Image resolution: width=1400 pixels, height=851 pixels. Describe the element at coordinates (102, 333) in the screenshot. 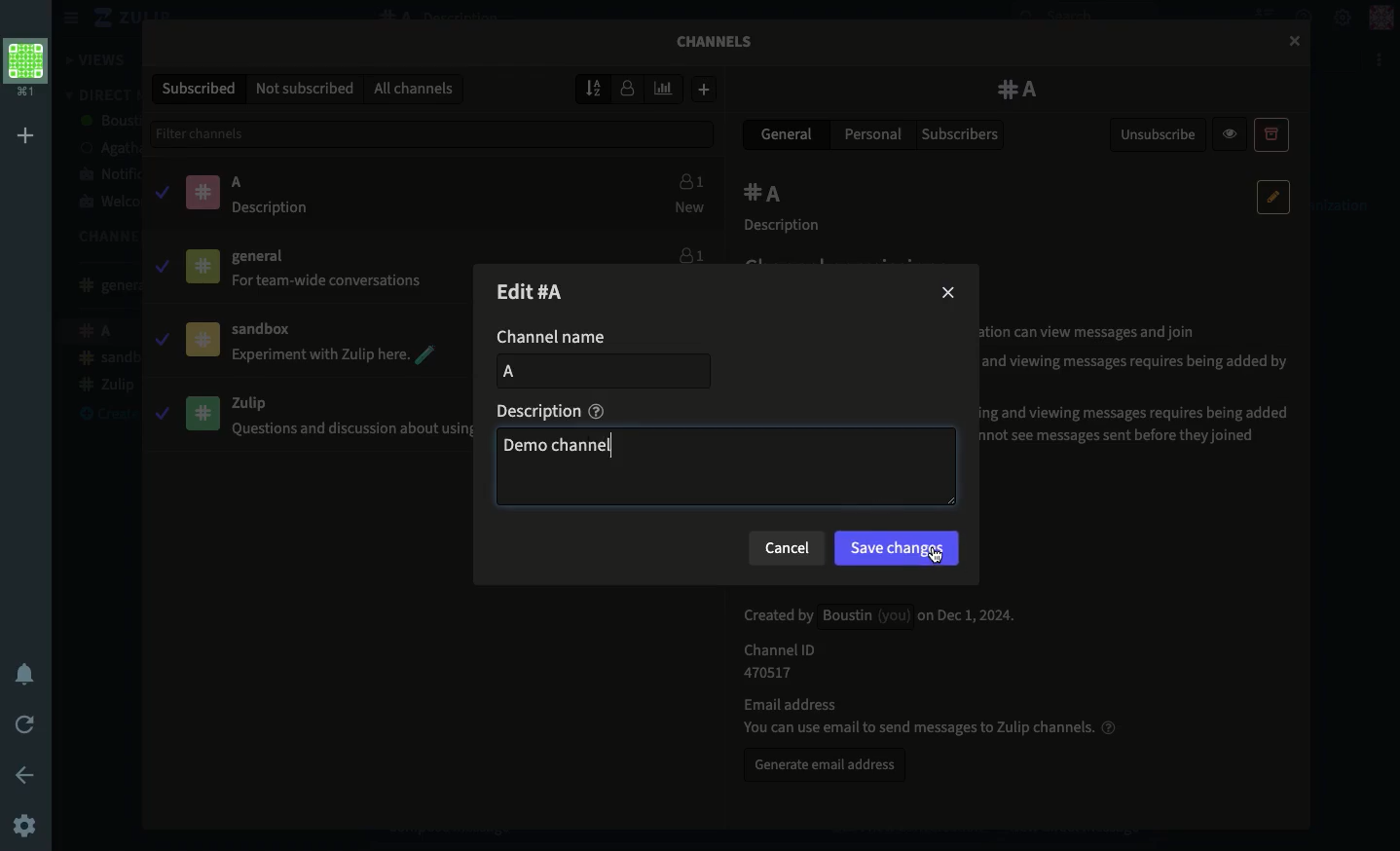

I see `A` at that location.